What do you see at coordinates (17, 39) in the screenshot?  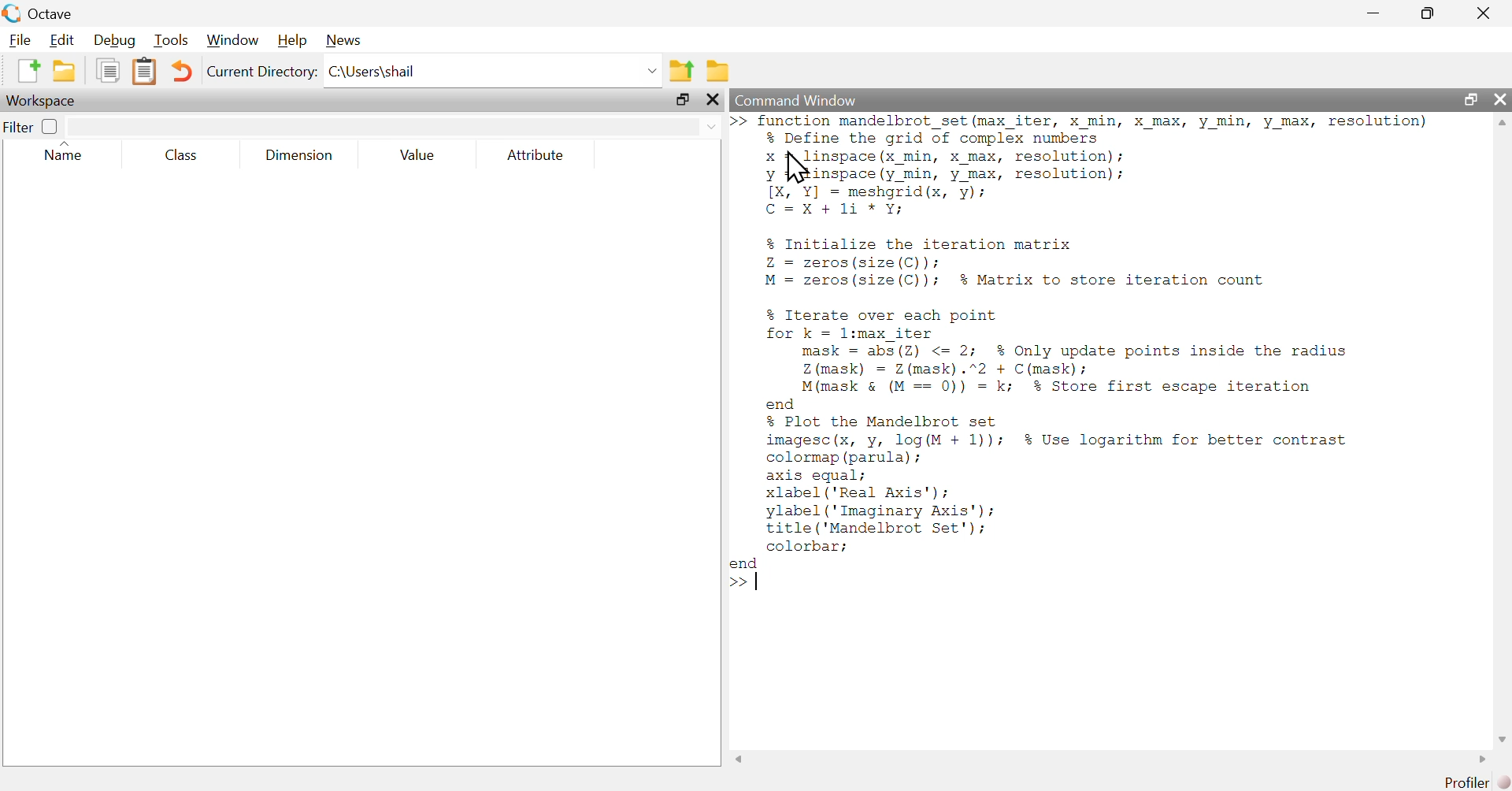 I see `File` at bounding box center [17, 39].